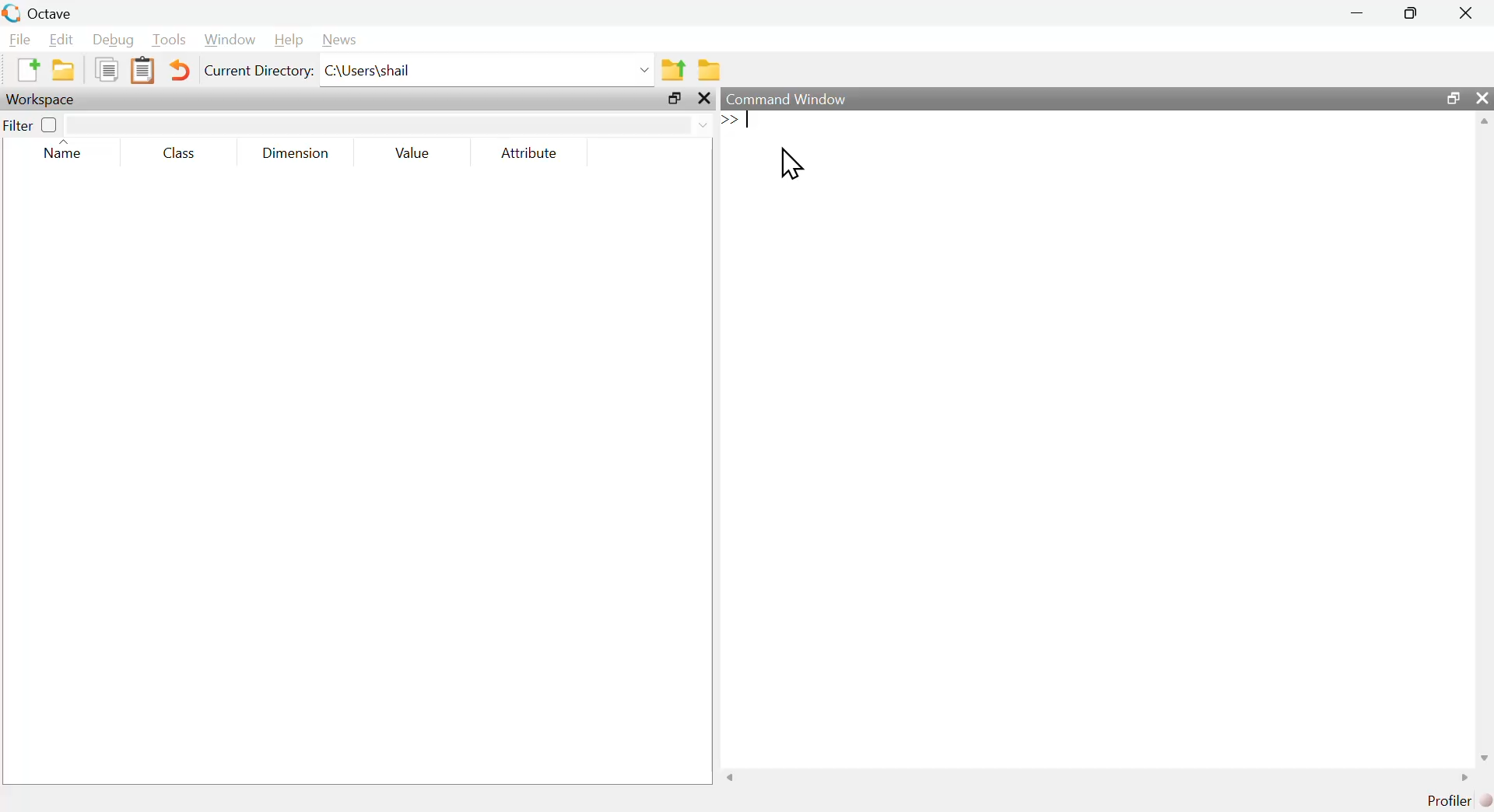 Image resolution: width=1494 pixels, height=812 pixels. Describe the element at coordinates (1468, 11) in the screenshot. I see `close` at that location.